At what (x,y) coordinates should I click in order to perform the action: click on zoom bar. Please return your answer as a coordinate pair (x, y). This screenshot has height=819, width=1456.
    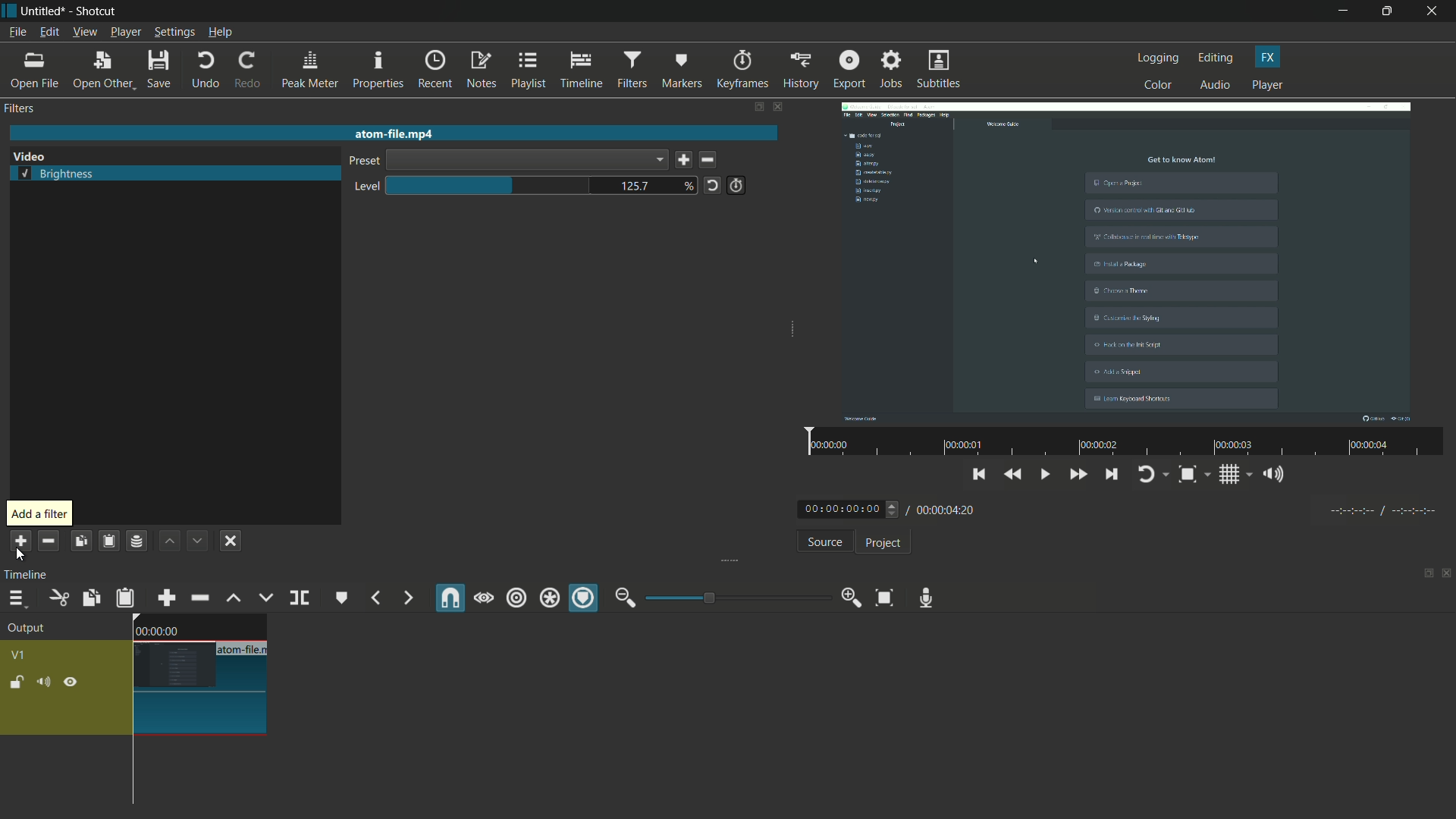
    Looking at the image, I should click on (732, 597).